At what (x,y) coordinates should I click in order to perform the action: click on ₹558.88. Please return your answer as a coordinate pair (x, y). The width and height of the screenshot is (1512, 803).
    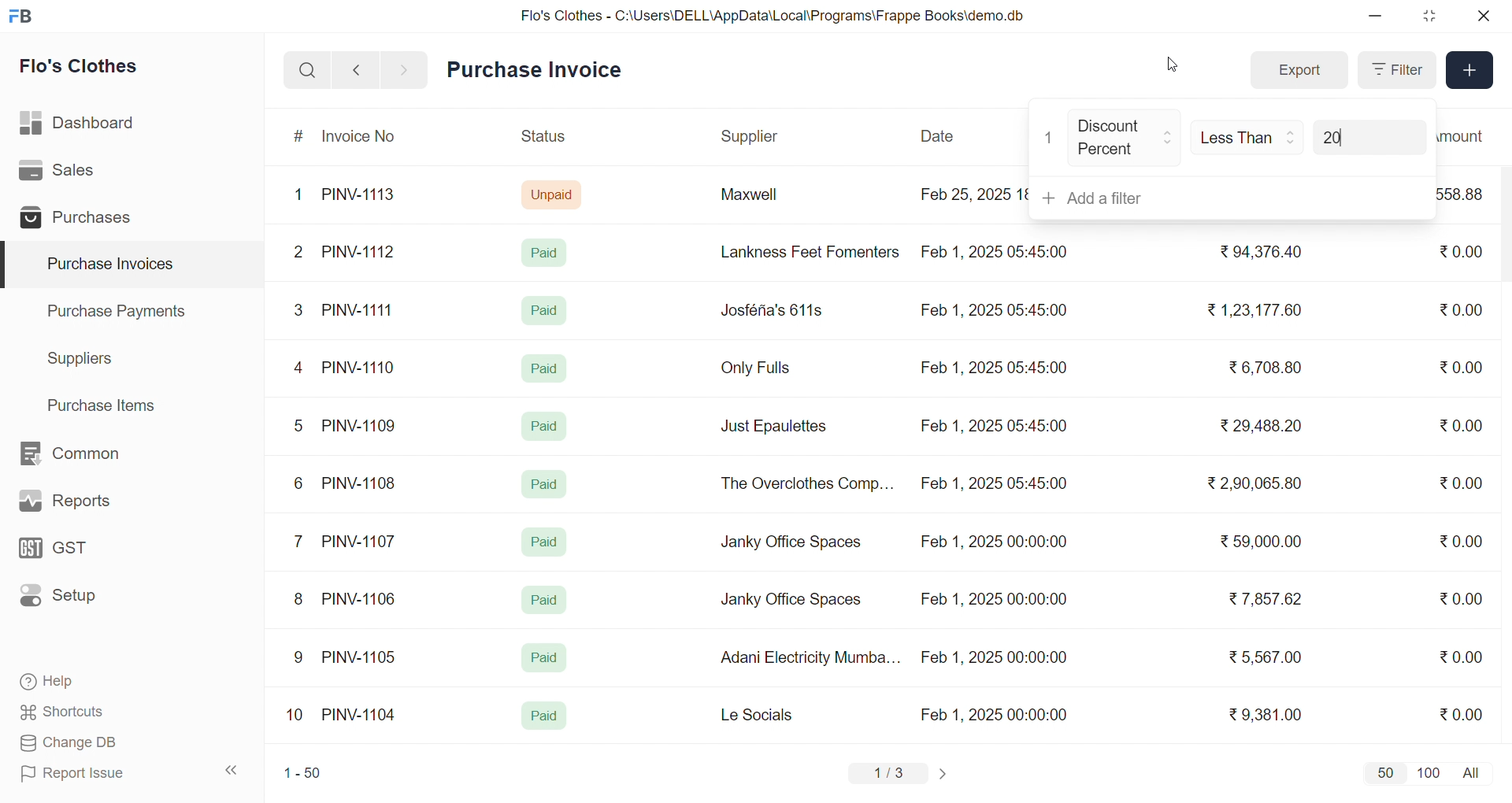
    Looking at the image, I should click on (1466, 194).